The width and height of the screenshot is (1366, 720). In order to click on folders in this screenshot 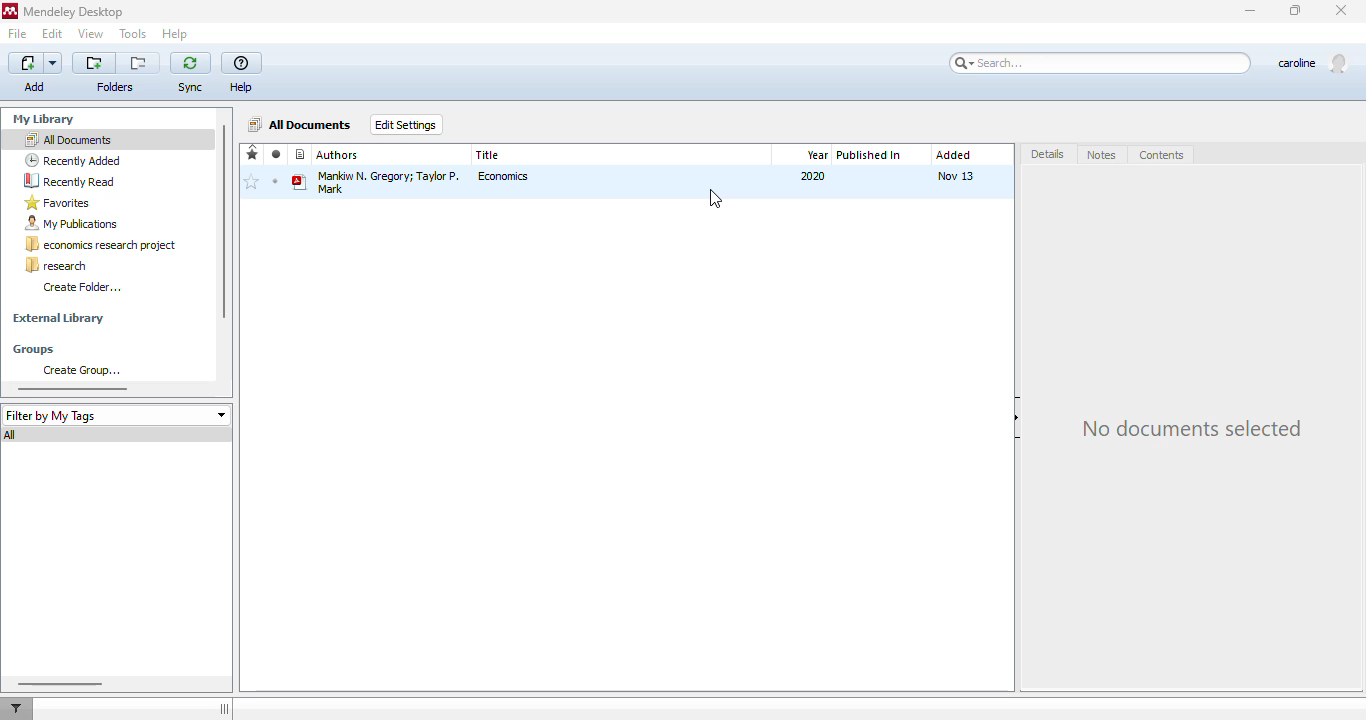, I will do `click(114, 87)`.